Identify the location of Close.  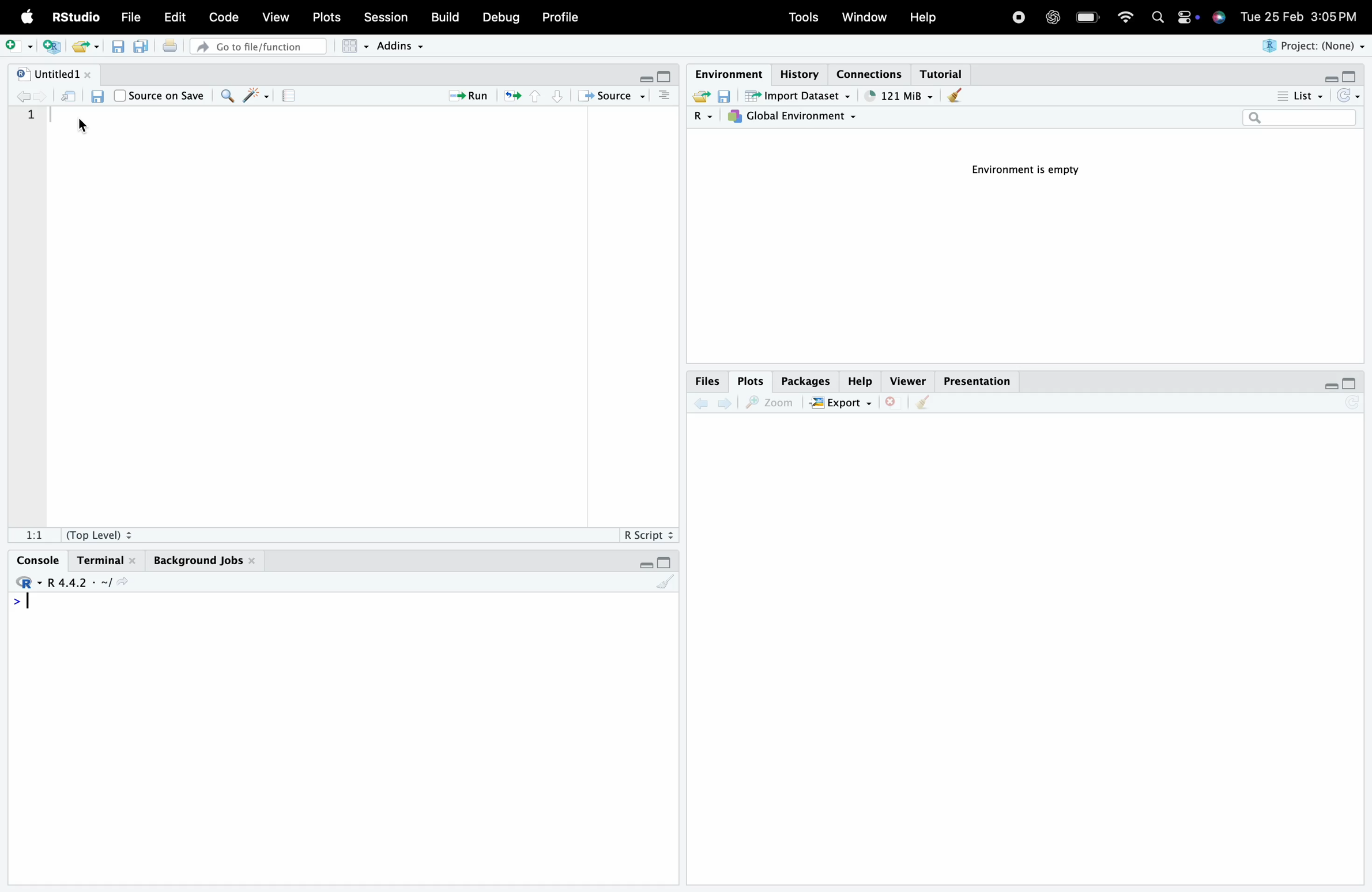
(895, 403).